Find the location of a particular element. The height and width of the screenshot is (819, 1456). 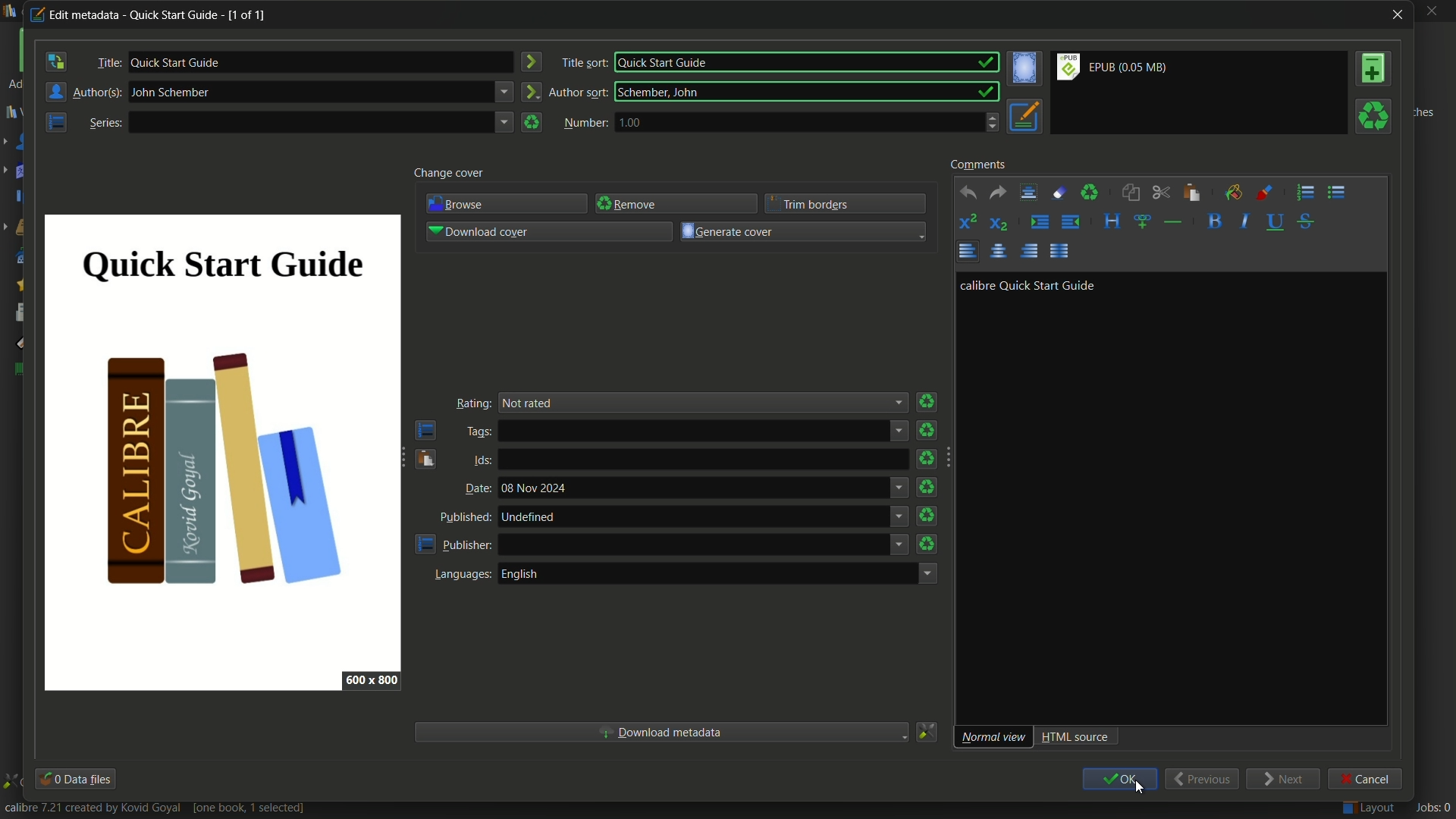

bold is located at coordinates (1217, 222).